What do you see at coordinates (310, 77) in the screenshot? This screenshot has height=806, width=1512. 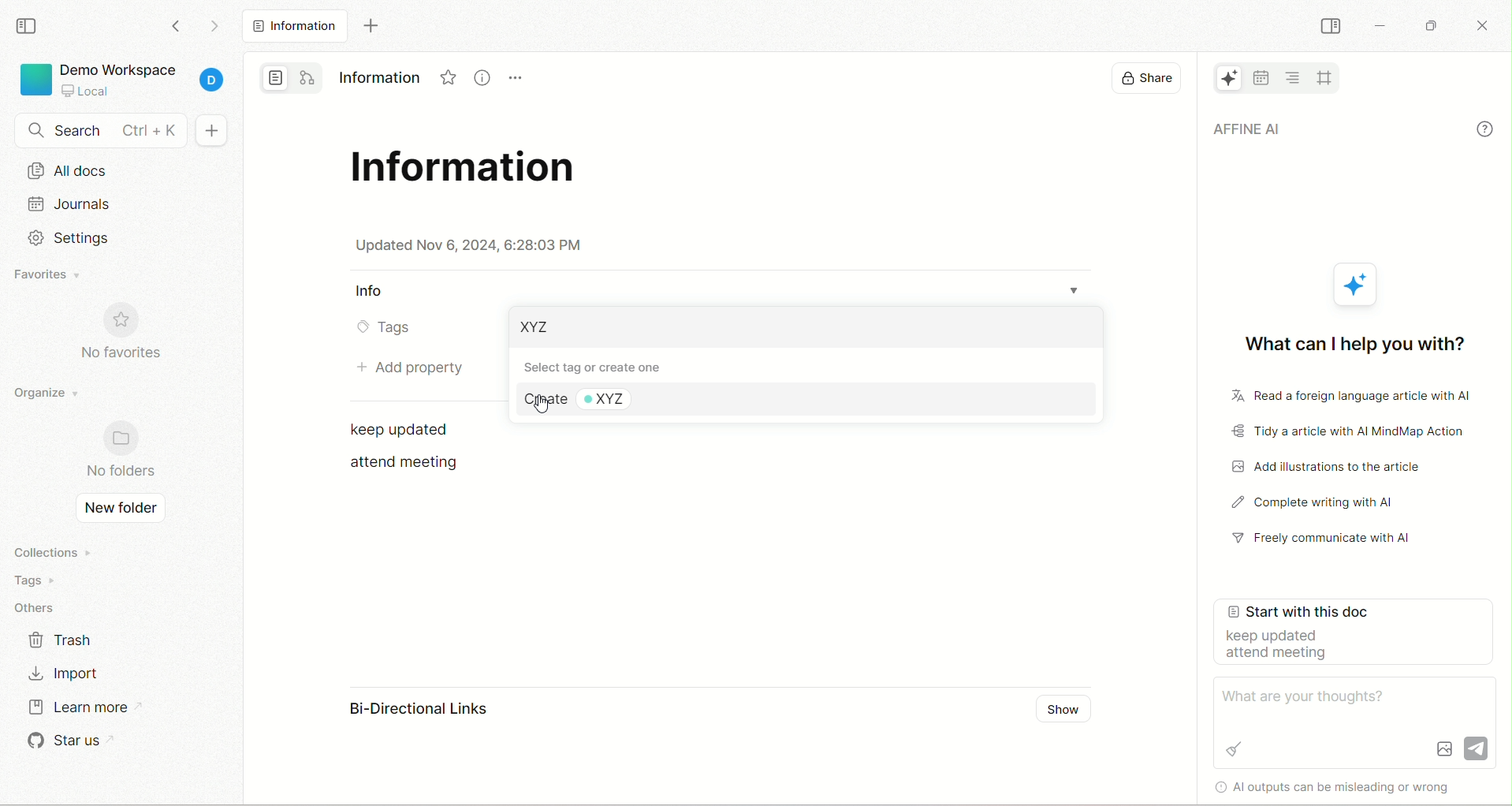 I see `edgeless mode` at bounding box center [310, 77].